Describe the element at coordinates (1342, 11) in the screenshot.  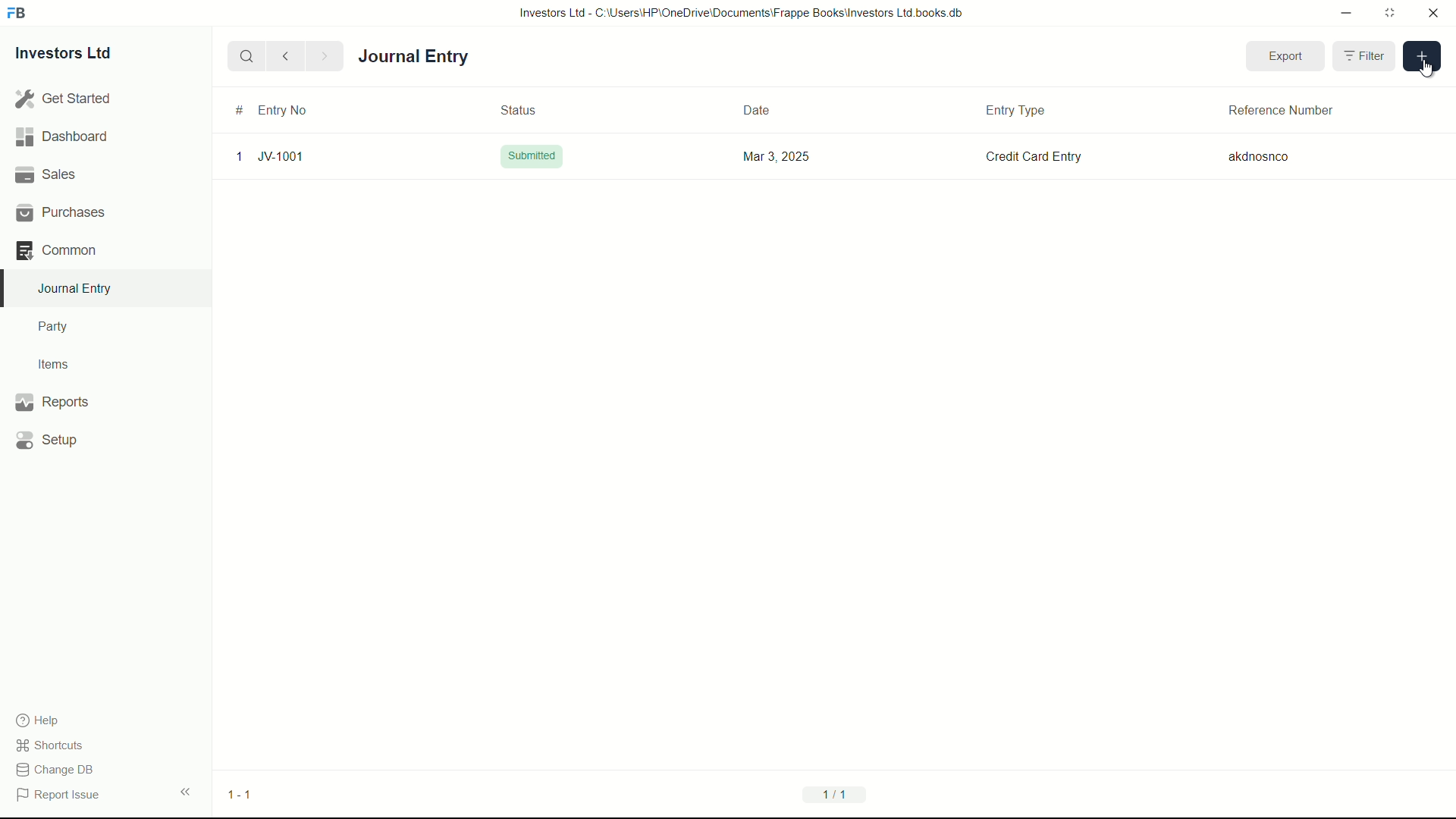
I see `minimize` at that location.